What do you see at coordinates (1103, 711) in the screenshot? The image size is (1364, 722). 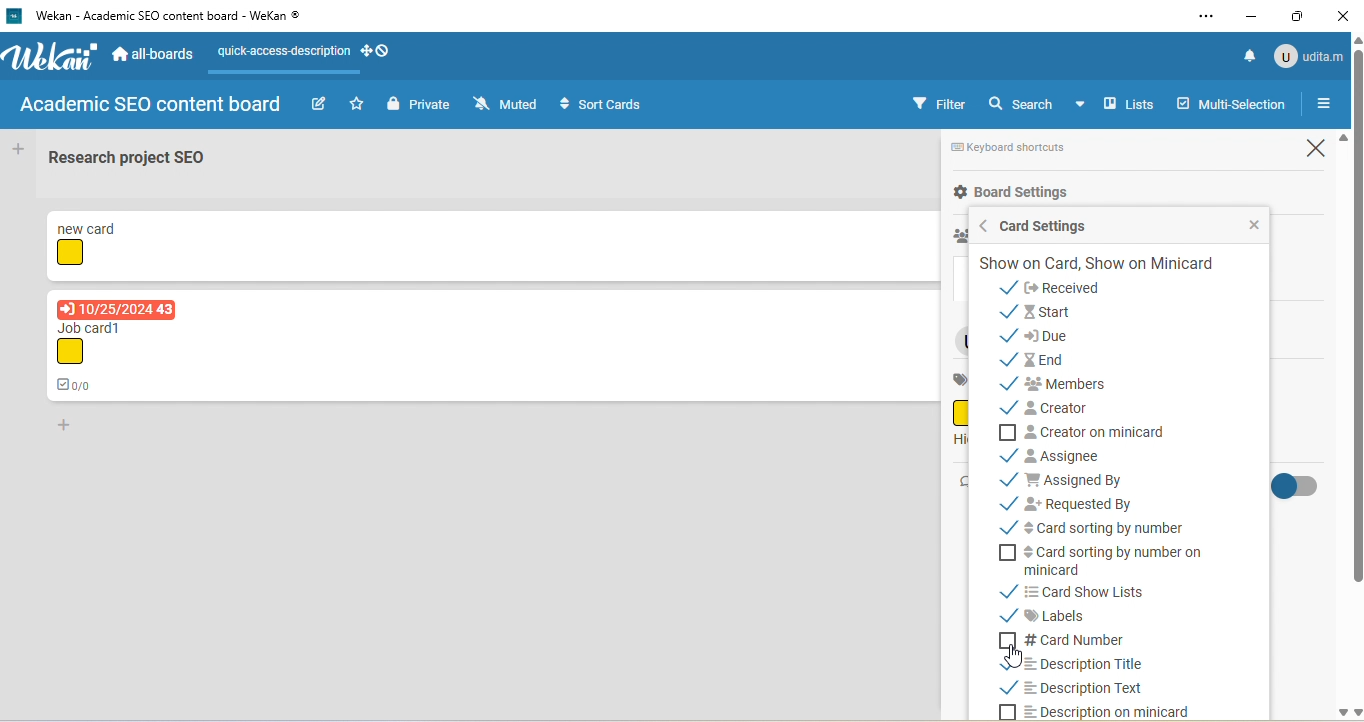 I see `description on minicard` at bounding box center [1103, 711].